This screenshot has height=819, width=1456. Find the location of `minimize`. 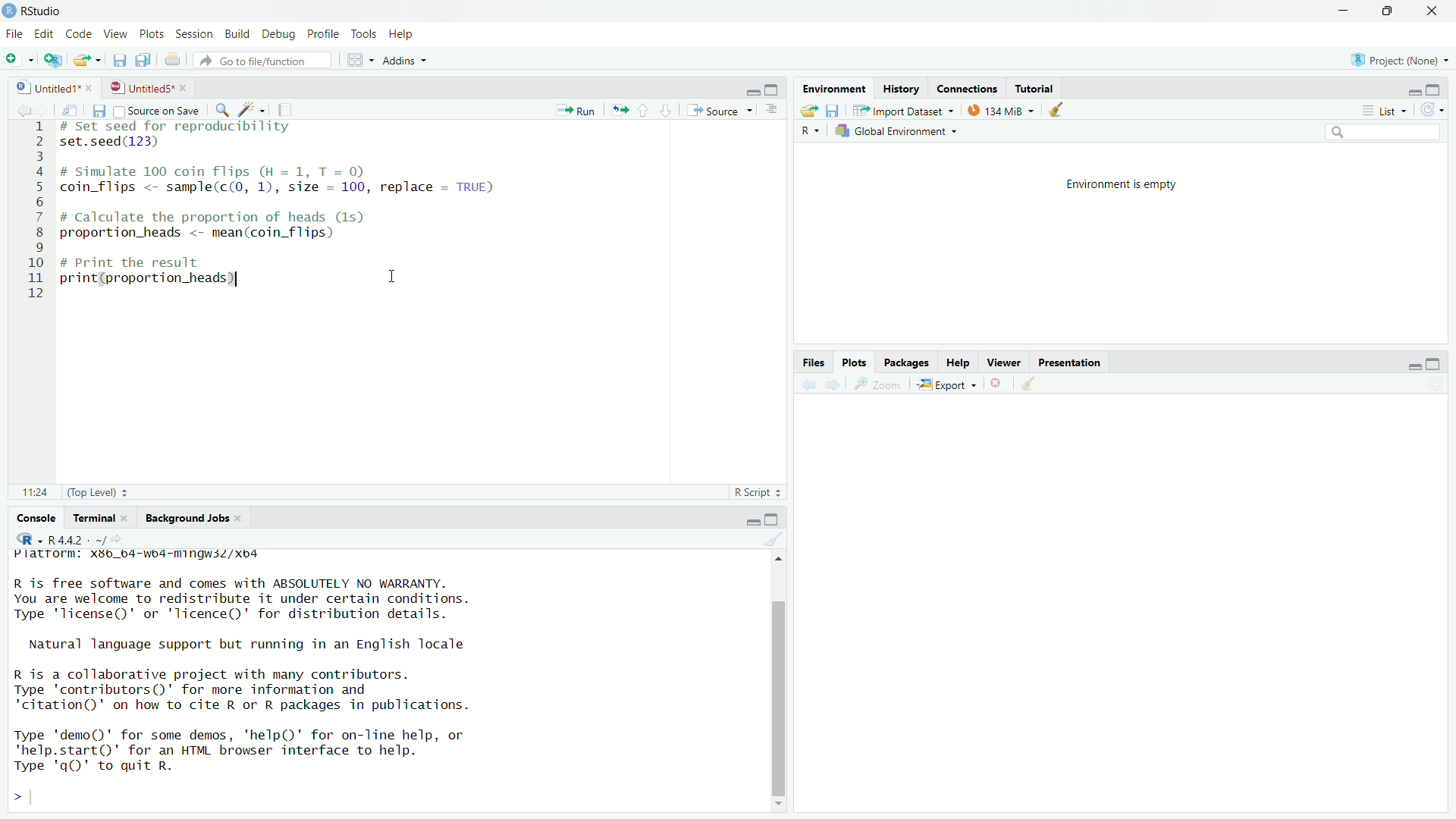

minimize is located at coordinates (1345, 11).